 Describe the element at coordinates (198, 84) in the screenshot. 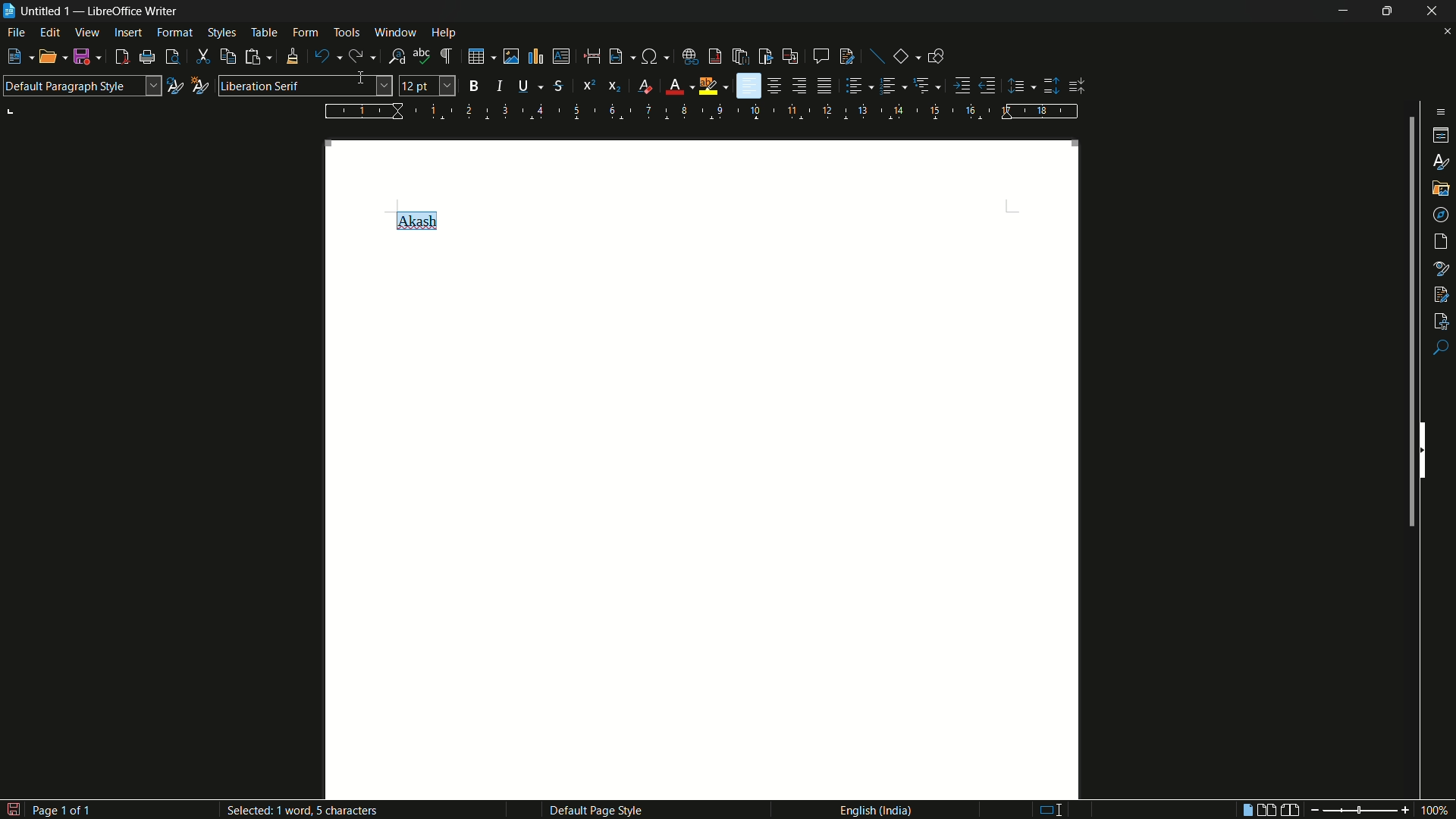

I see `new style from selection` at that location.